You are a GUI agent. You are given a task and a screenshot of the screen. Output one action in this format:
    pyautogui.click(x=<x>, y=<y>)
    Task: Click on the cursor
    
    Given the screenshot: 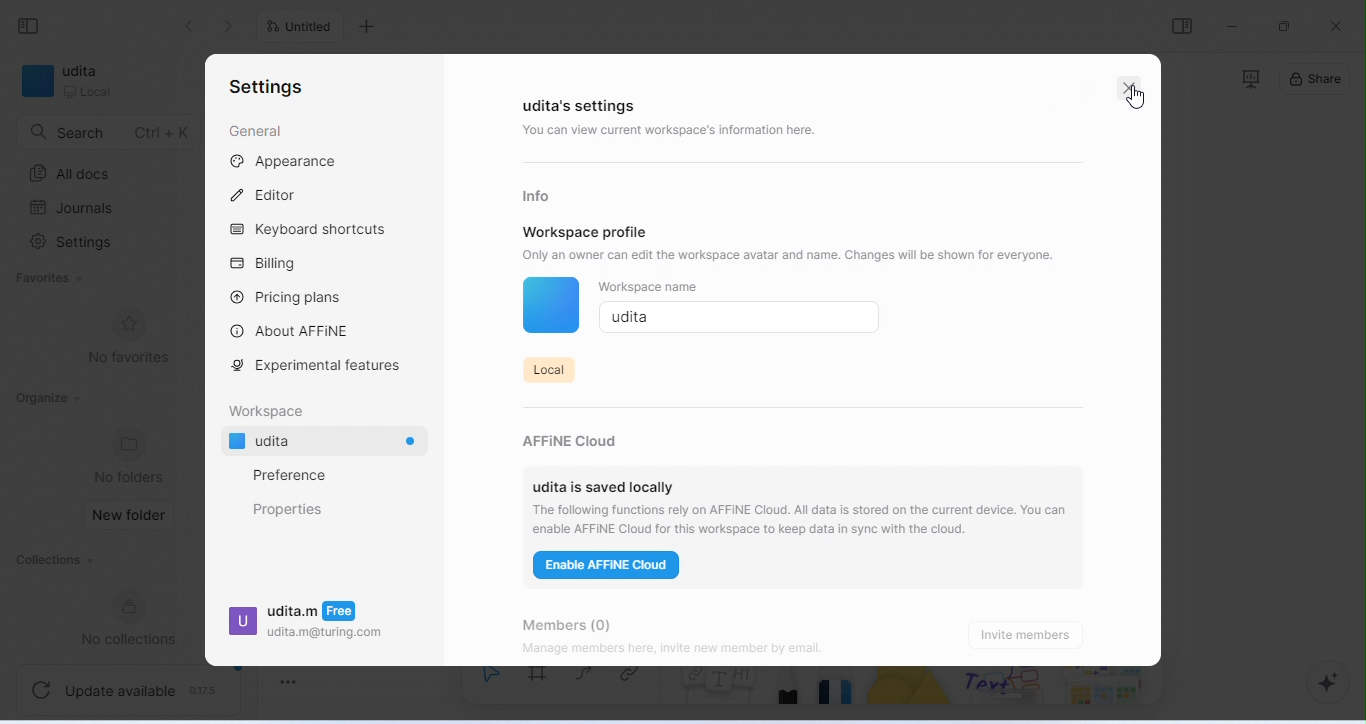 What is the action you would take?
    pyautogui.click(x=751, y=314)
    